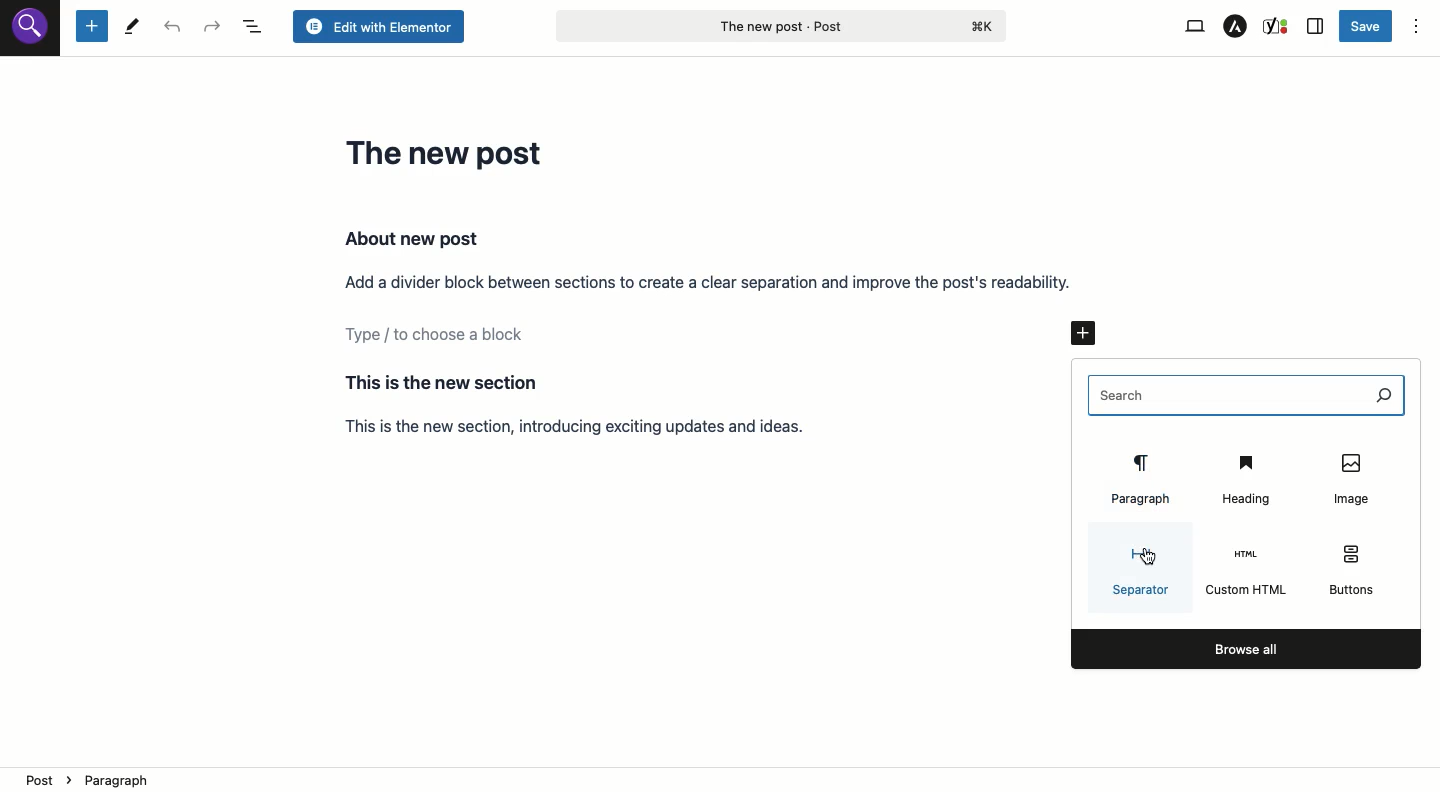 This screenshot has height=792, width=1440. What do you see at coordinates (1244, 476) in the screenshot?
I see `Heading` at bounding box center [1244, 476].